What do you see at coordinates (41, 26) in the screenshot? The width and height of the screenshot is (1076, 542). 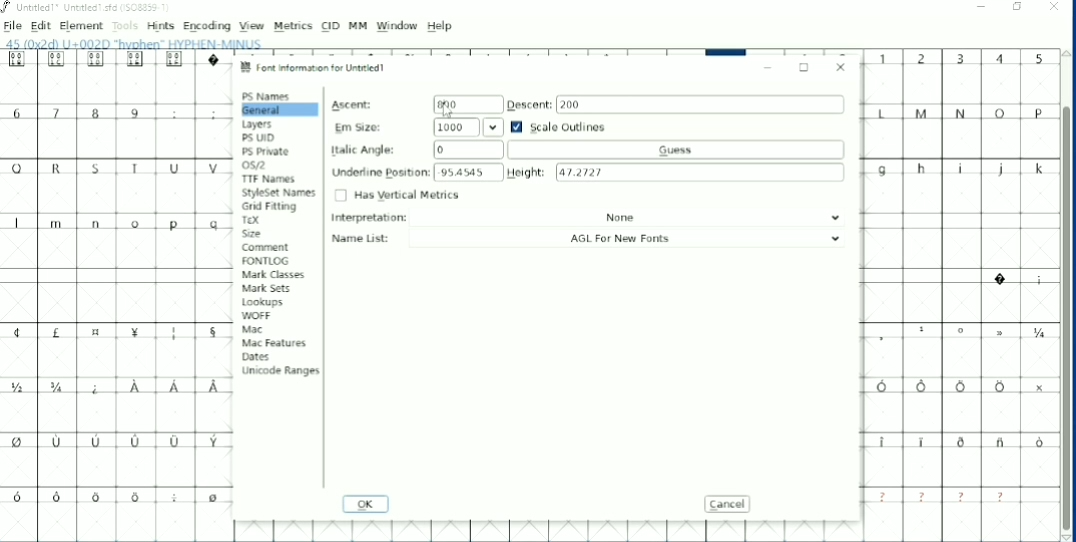 I see `Edit` at bounding box center [41, 26].